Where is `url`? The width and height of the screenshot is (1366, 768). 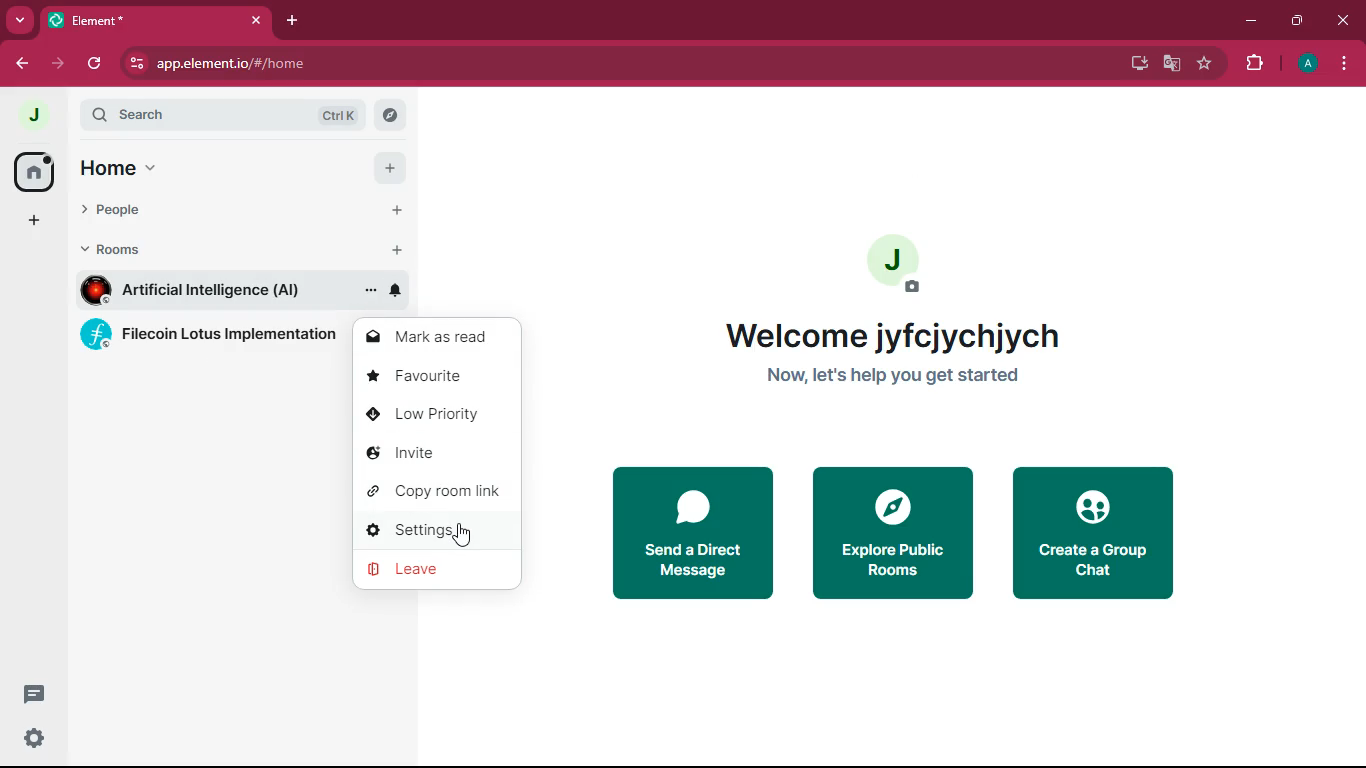 url is located at coordinates (316, 64).